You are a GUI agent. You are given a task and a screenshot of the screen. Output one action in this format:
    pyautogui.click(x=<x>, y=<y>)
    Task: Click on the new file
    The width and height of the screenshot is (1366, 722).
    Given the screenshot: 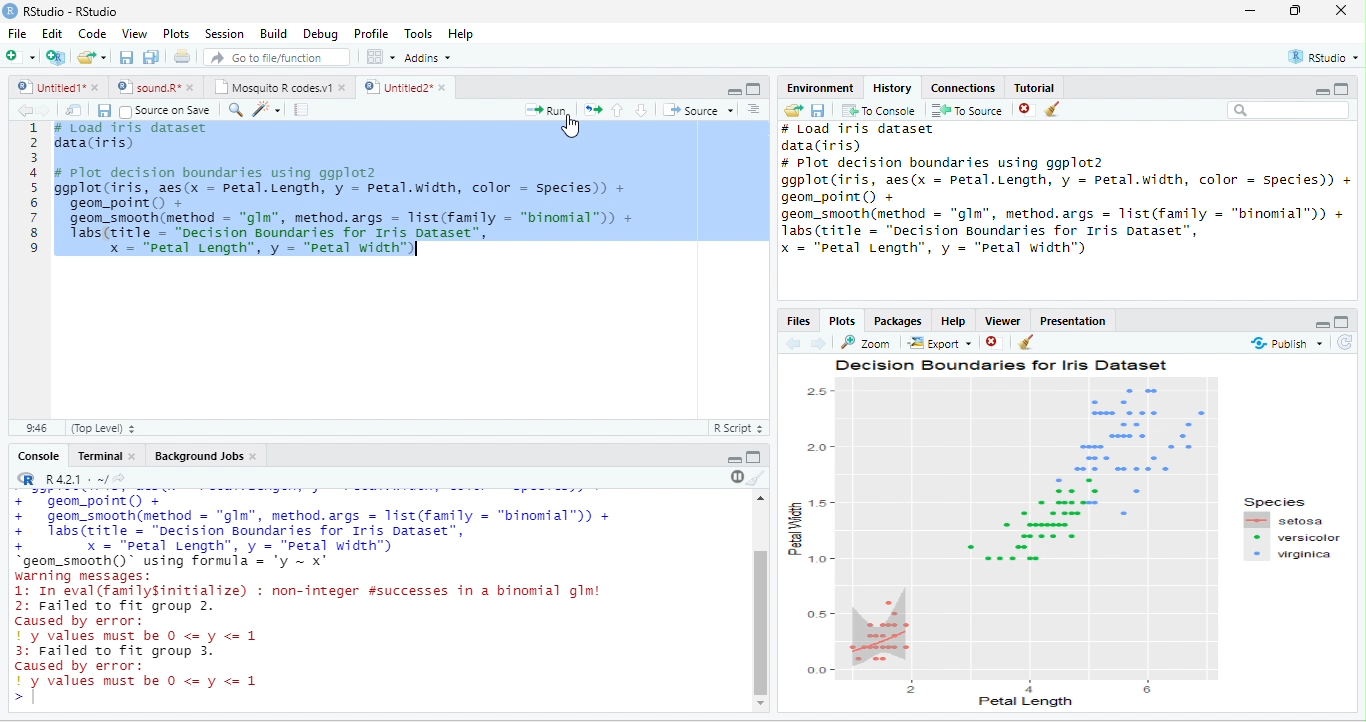 What is the action you would take?
    pyautogui.click(x=20, y=56)
    